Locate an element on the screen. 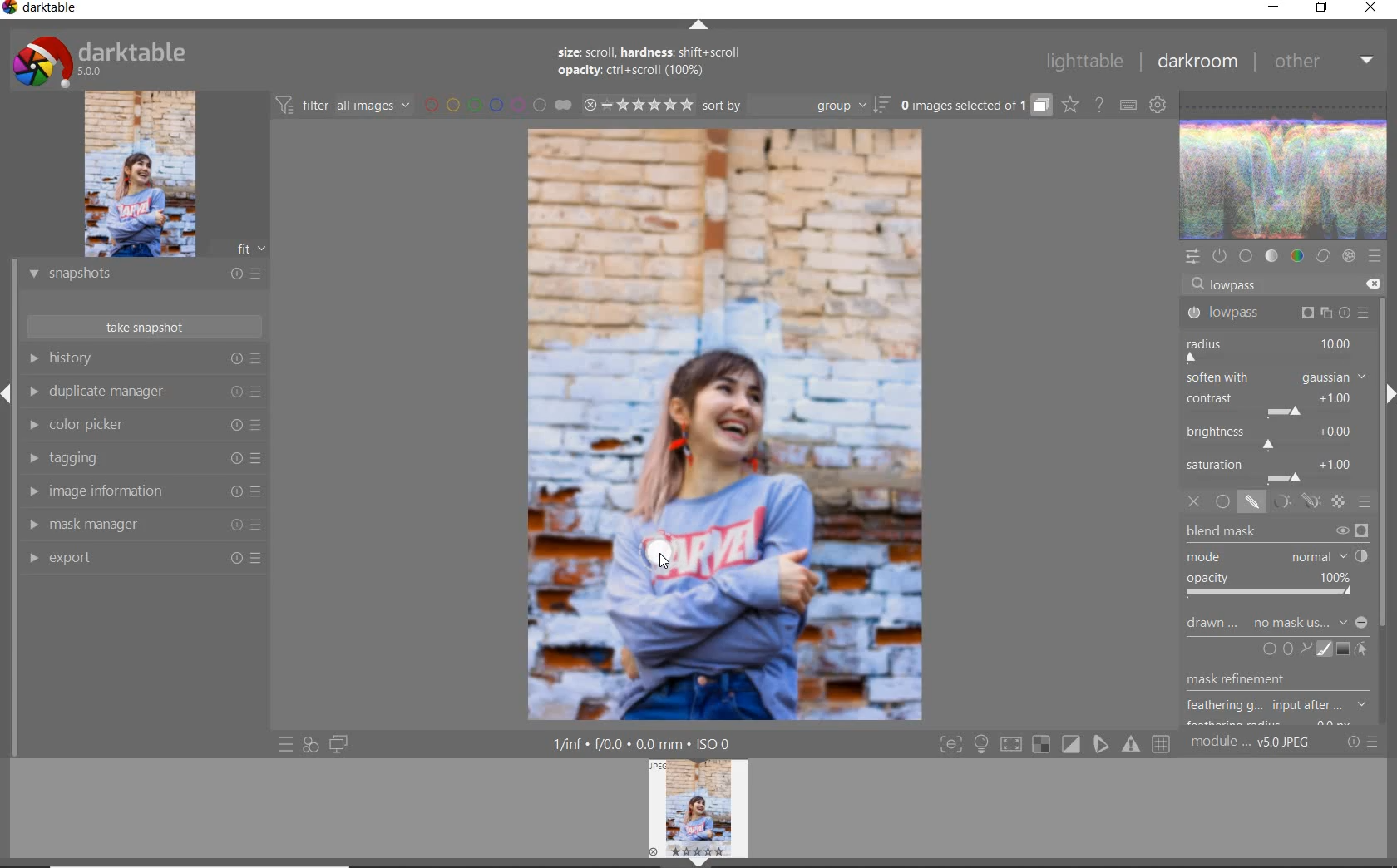 The image size is (1397, 868). lighttable is located at coordinates (1082, 64).